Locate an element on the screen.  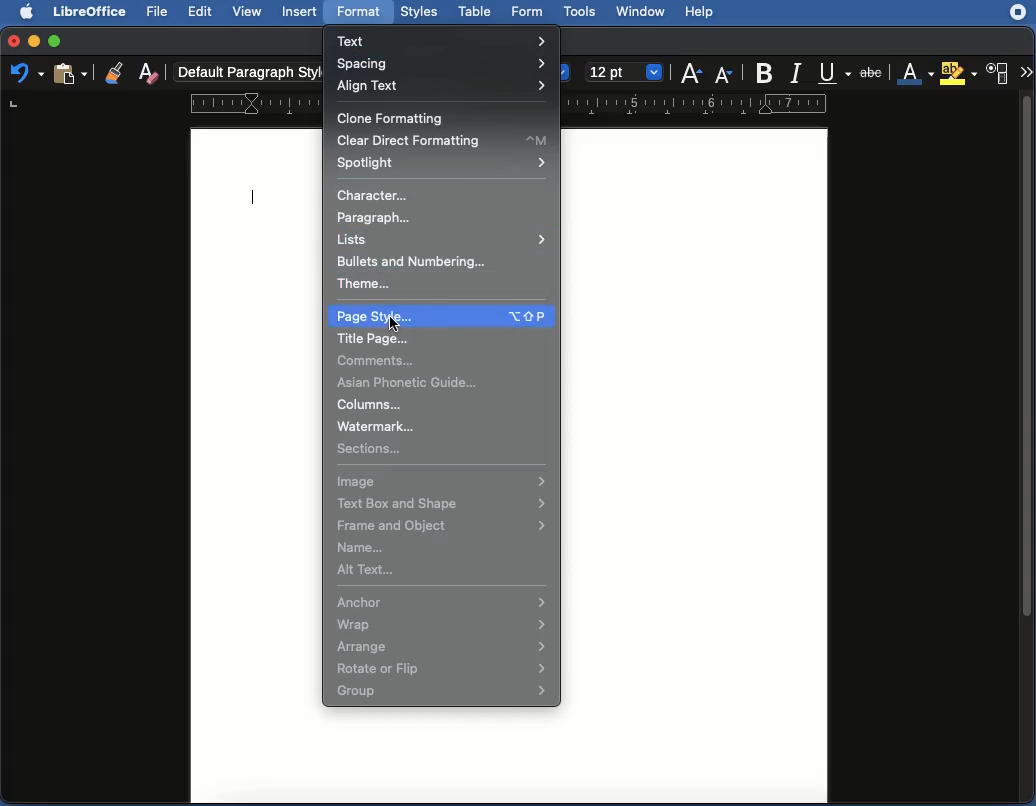
Undo is located at coordinates (25, 75).